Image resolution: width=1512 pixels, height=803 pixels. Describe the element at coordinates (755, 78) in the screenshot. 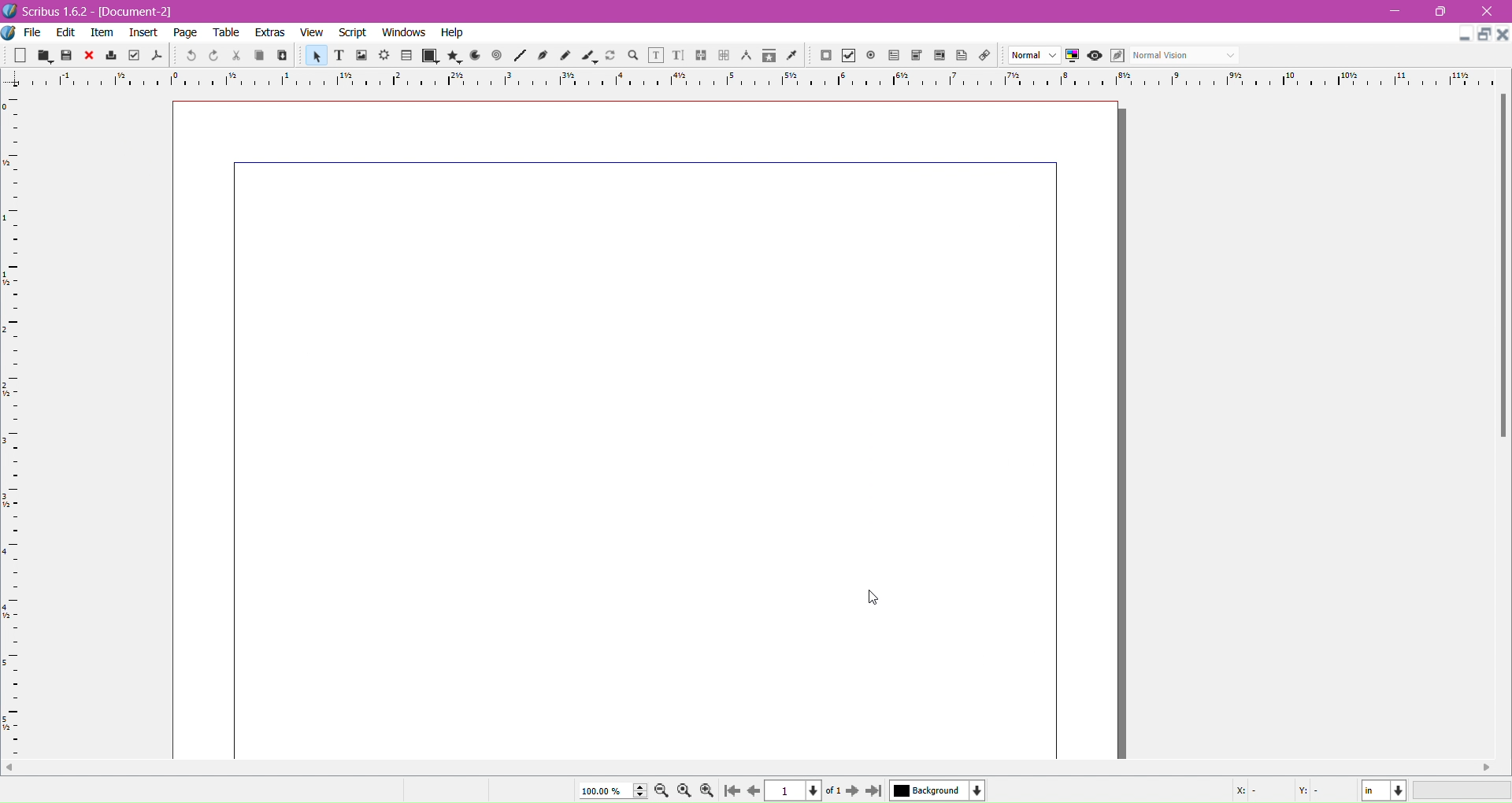

I see `top scale` at that location.